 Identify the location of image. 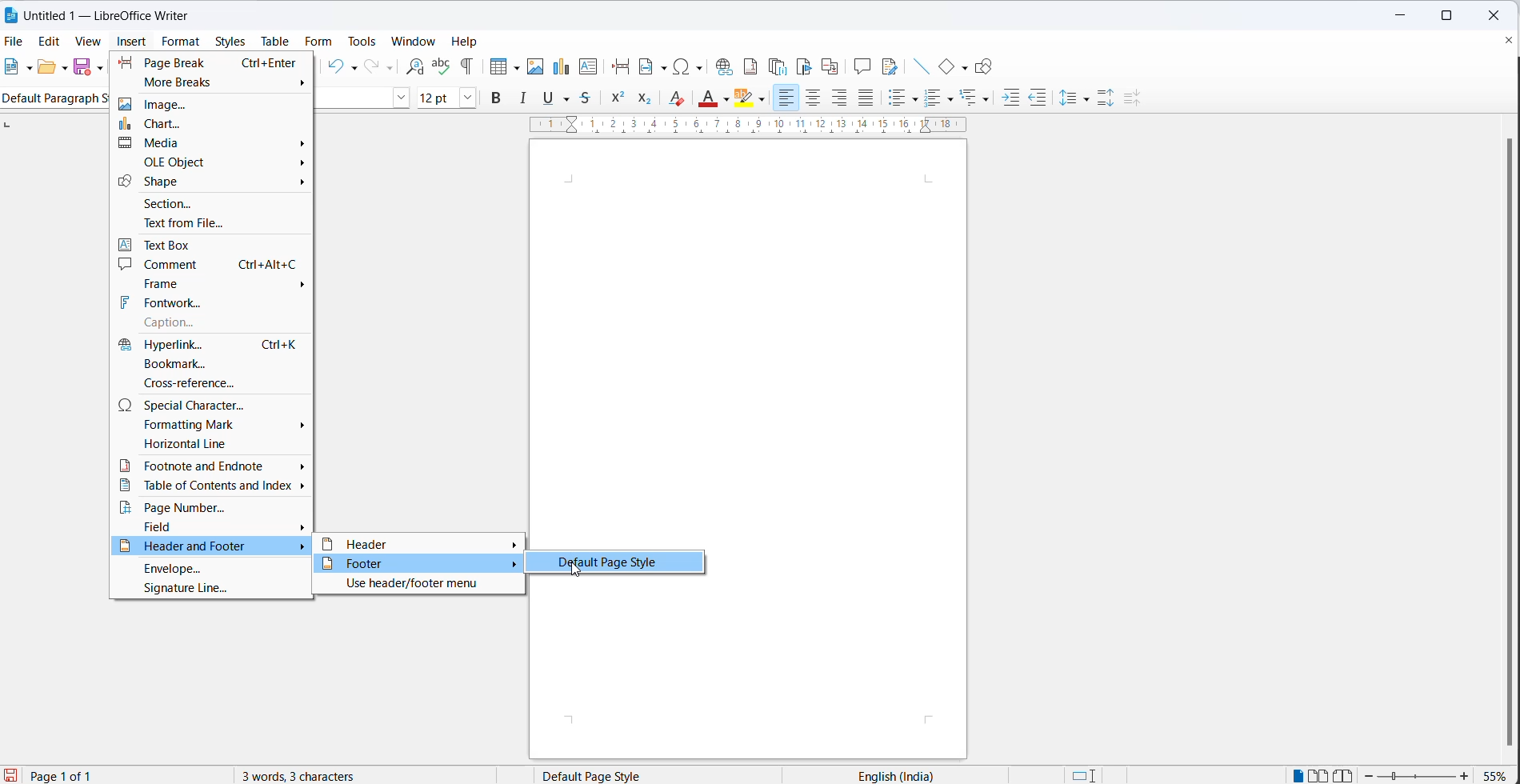
(214, 102).